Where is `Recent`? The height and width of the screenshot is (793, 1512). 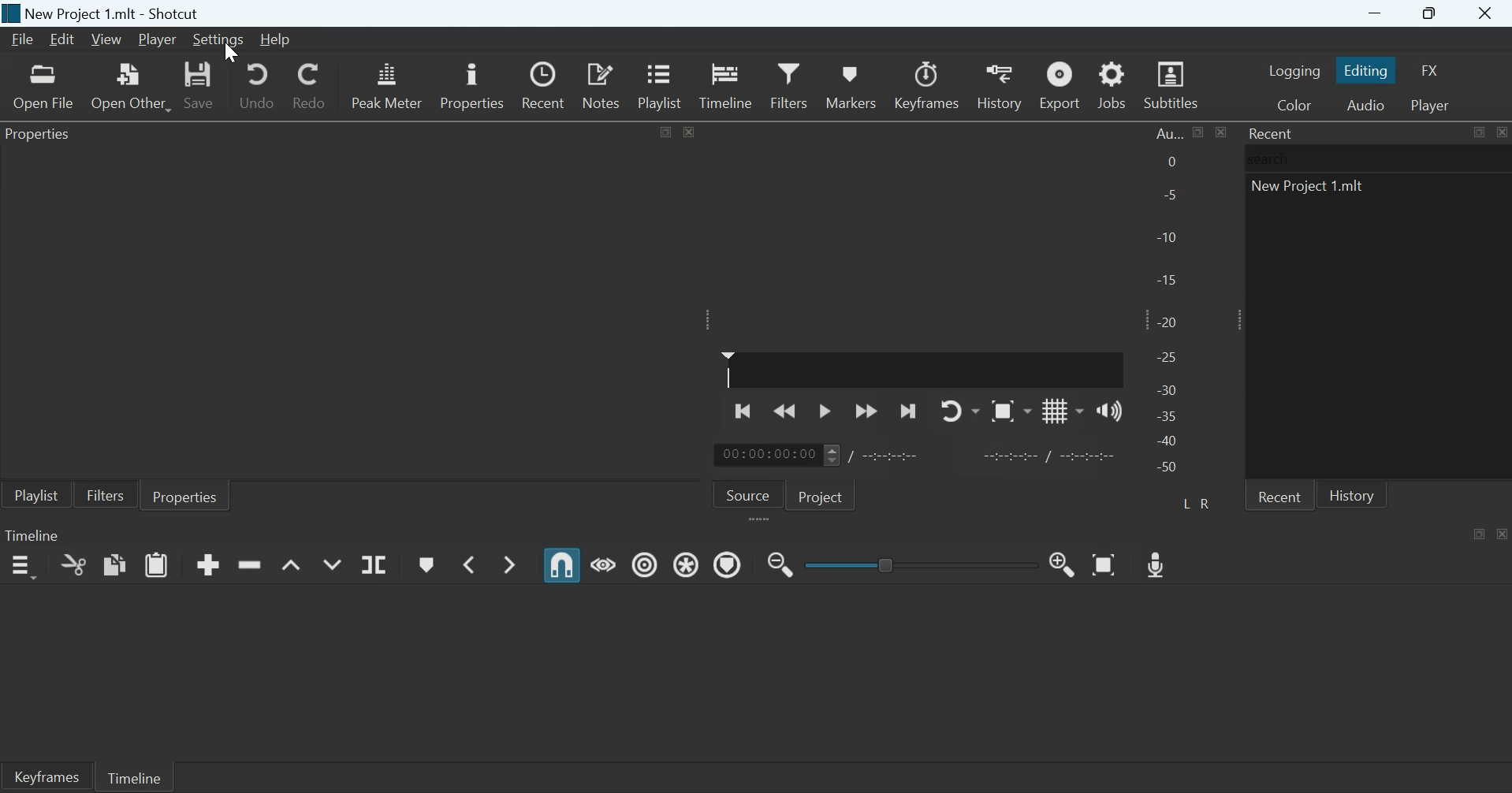
Recent is located at coordinates (546, 85).